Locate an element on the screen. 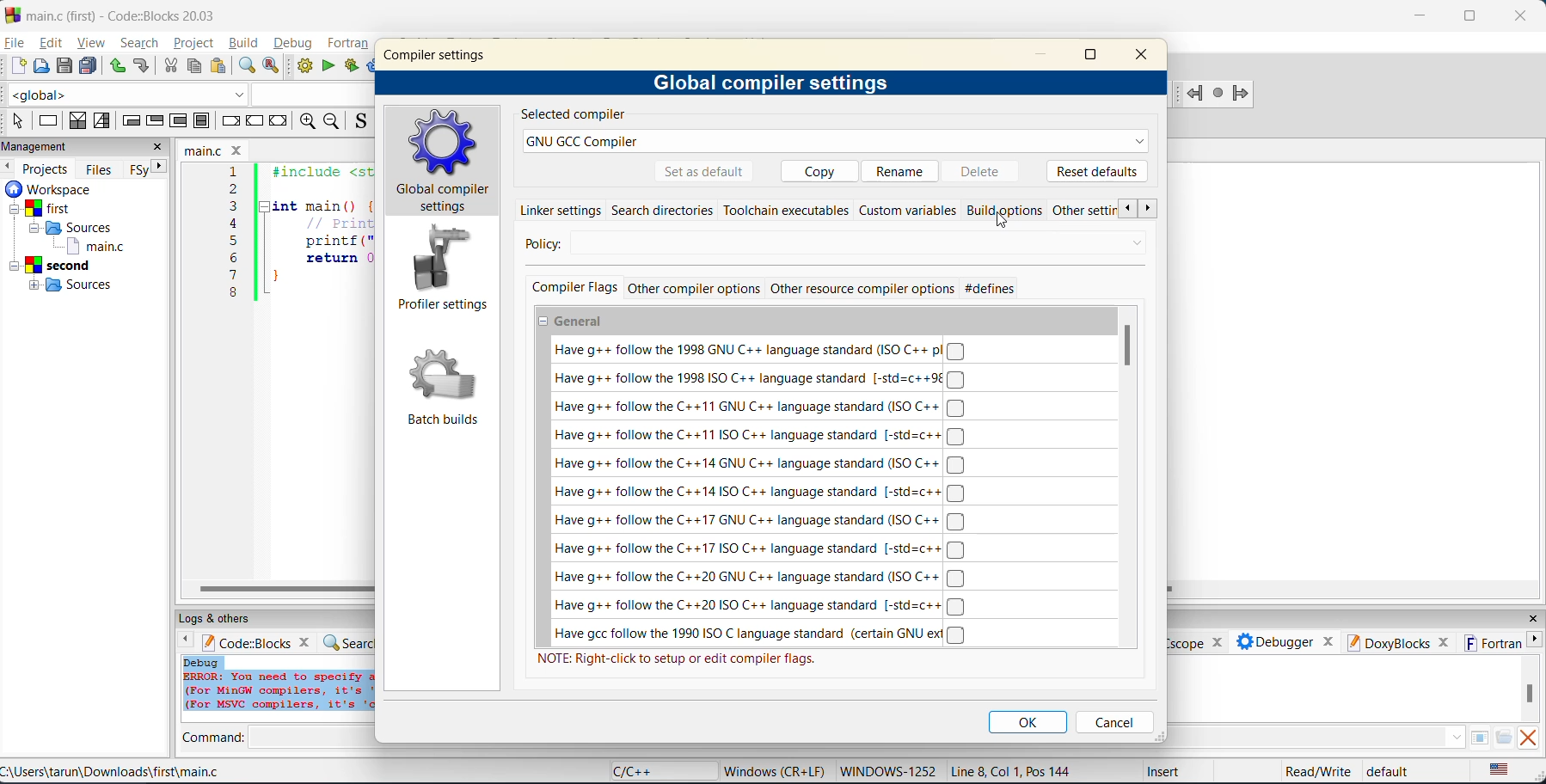 The height and width of the screenshot is (784, 1546). file is located at coordinates (15, 43).